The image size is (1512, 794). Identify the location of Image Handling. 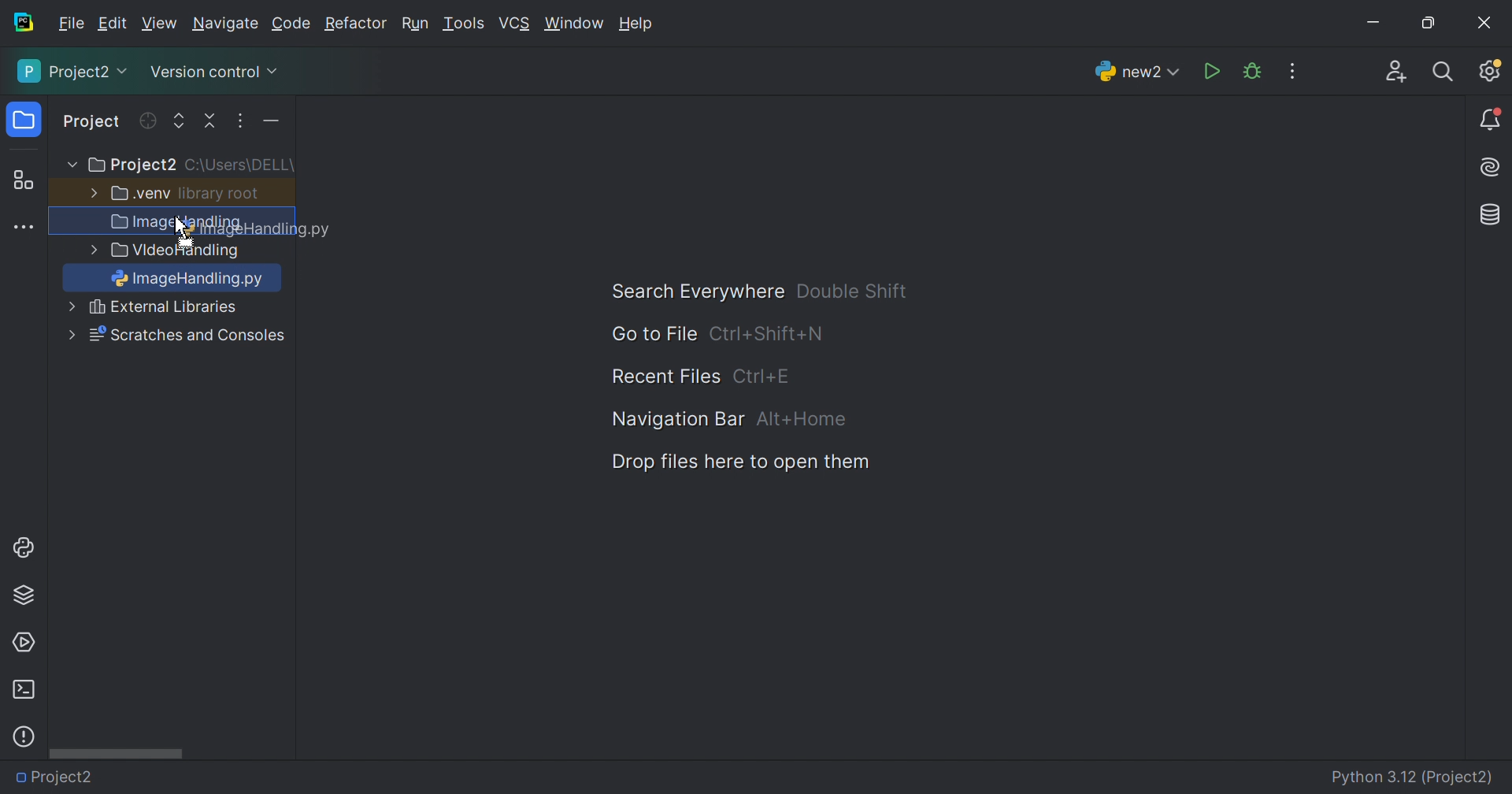
(177, 224).